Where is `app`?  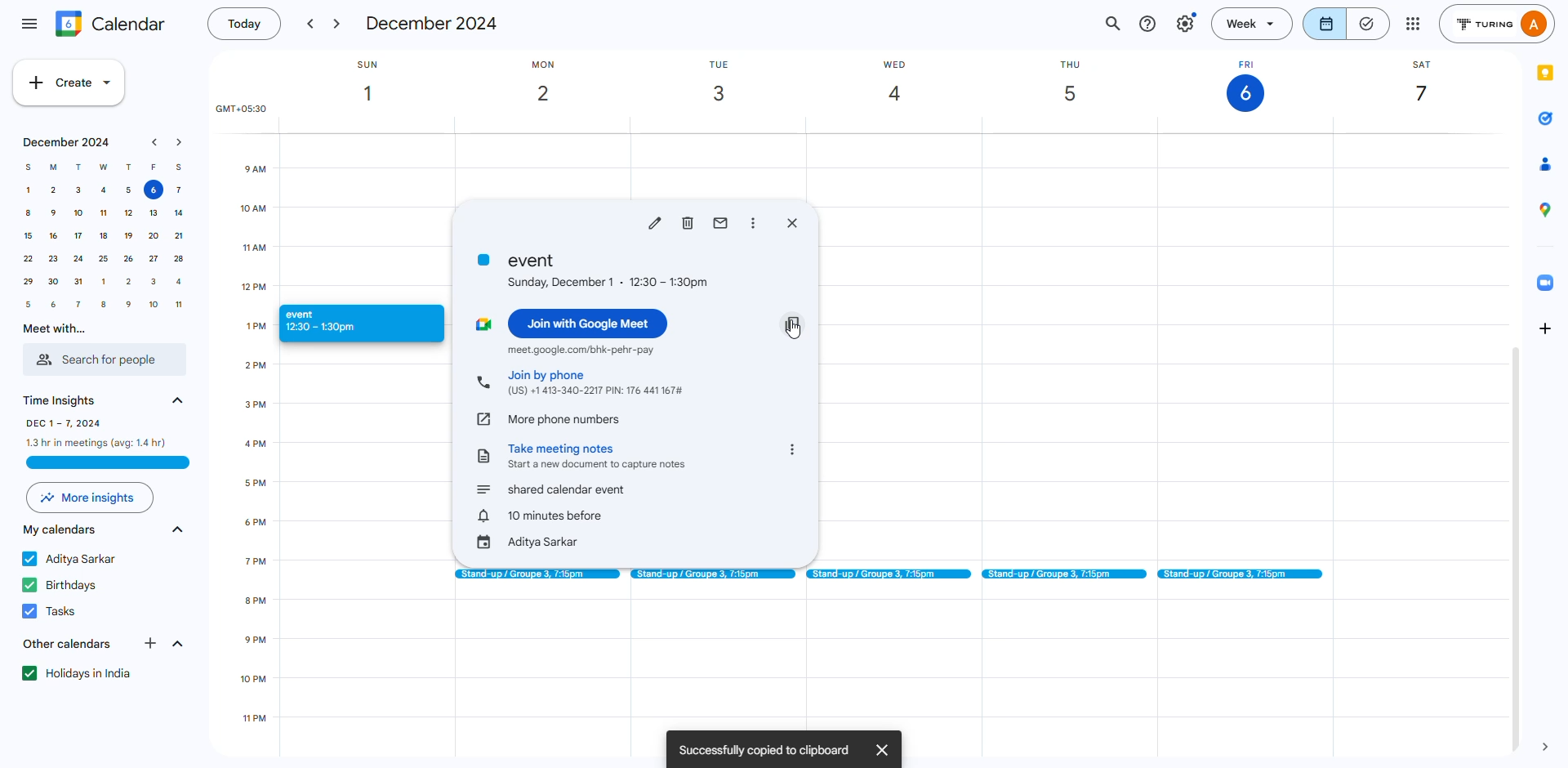
app is located at coordinates (1547, 209).